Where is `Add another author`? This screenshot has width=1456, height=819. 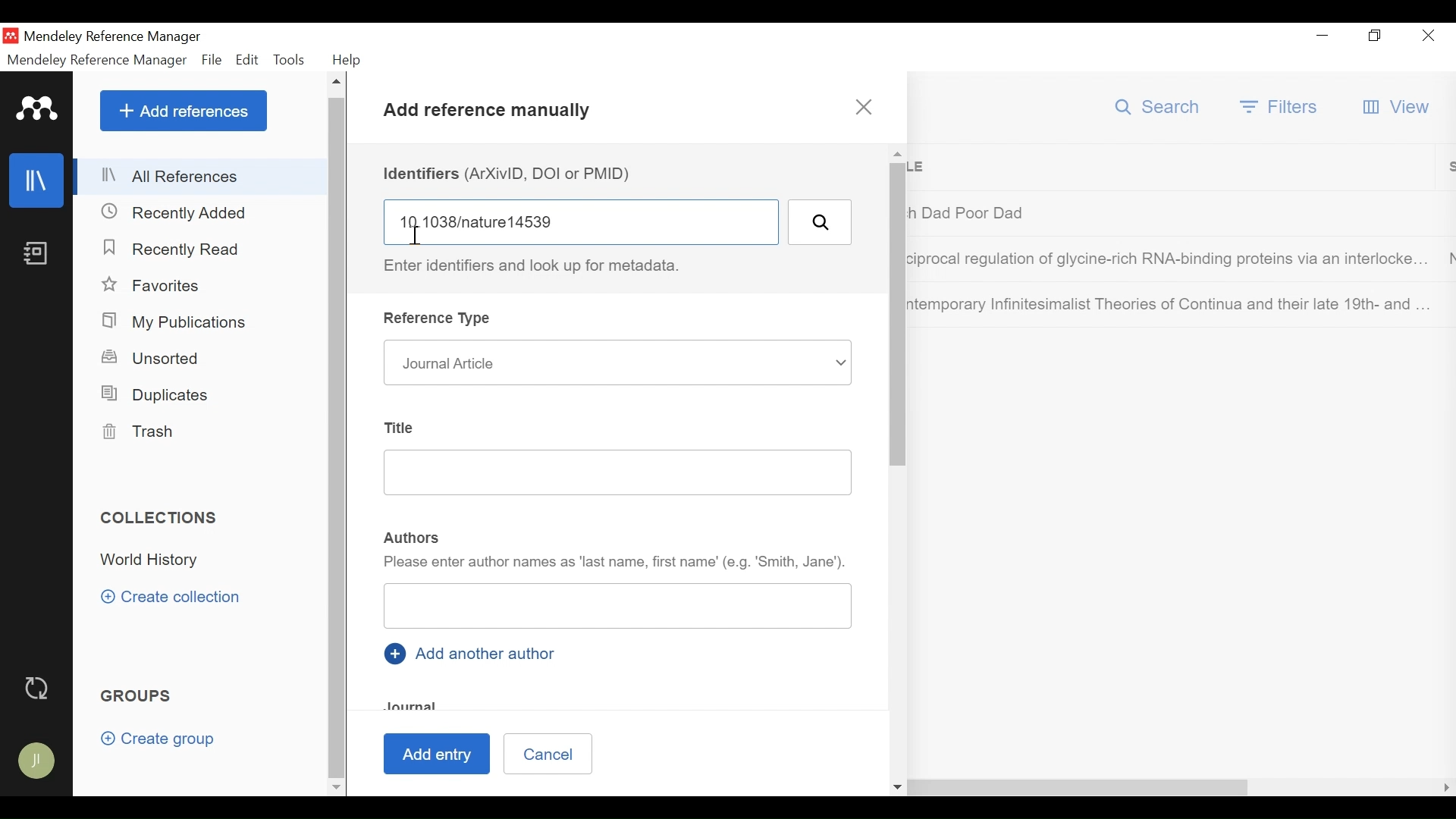
Add another author is located at coordinates (475, 653).